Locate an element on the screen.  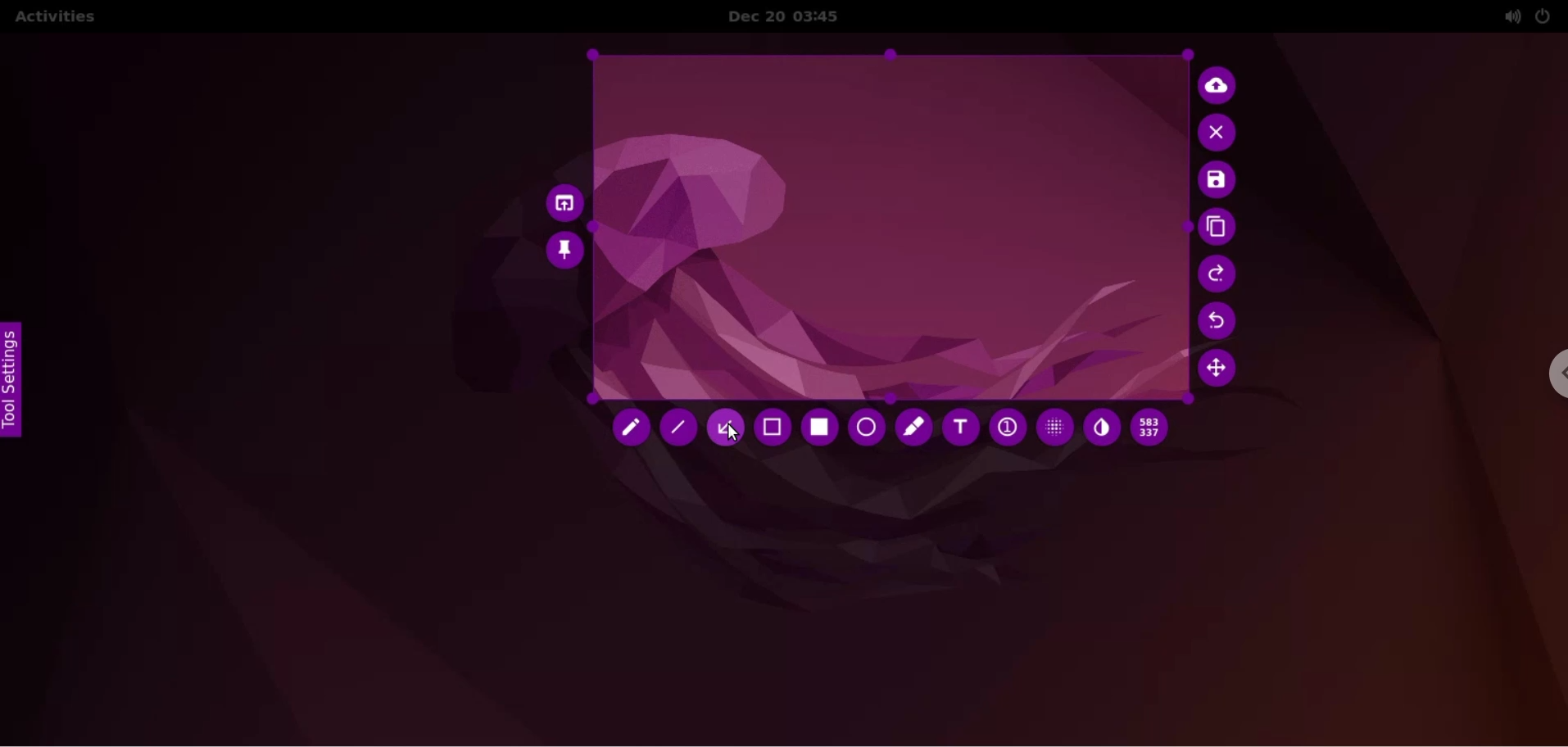
tool settings is located at coordinates (18, 380).